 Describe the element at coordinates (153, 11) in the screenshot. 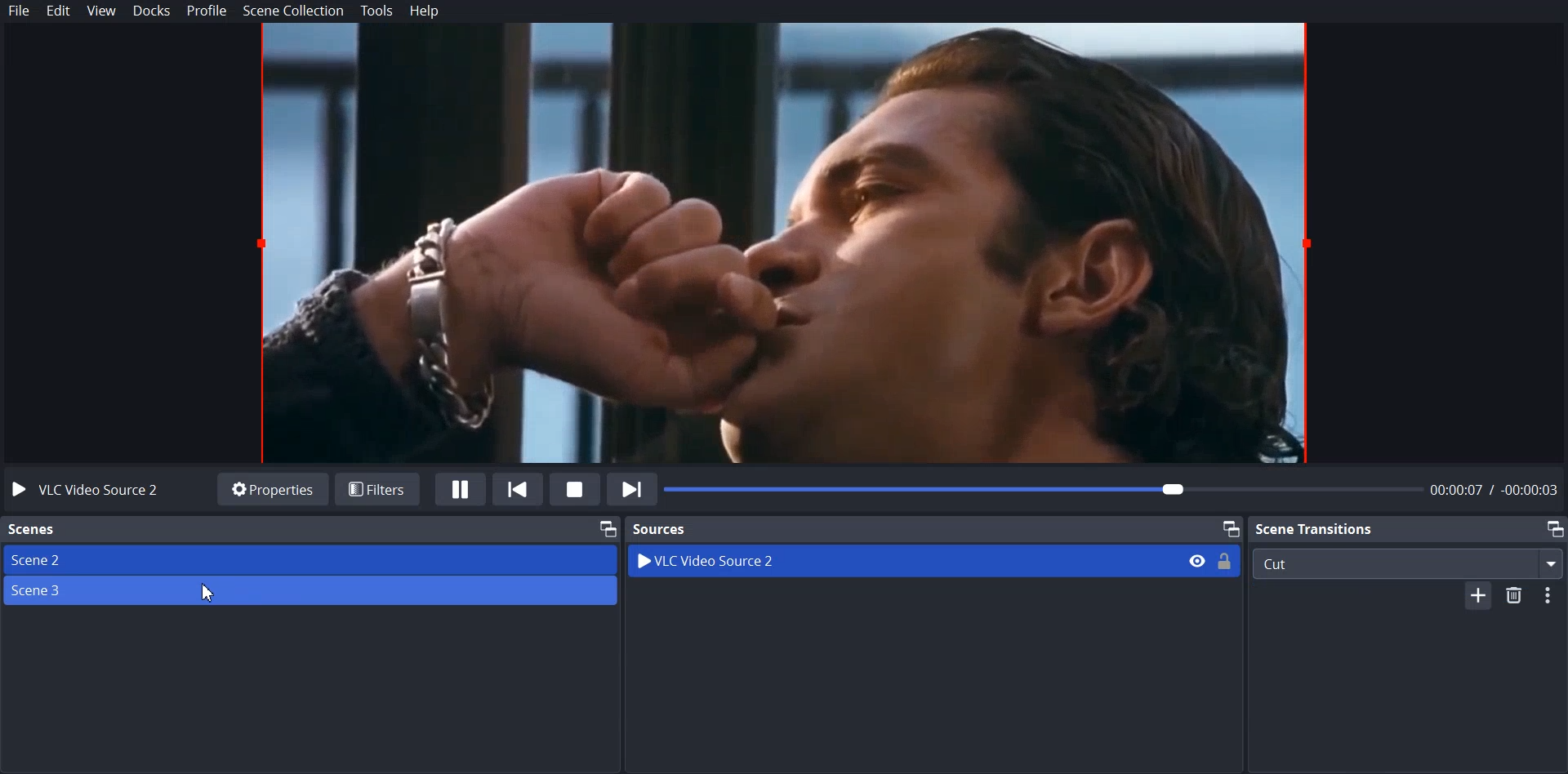

I see `Docks` at that location.